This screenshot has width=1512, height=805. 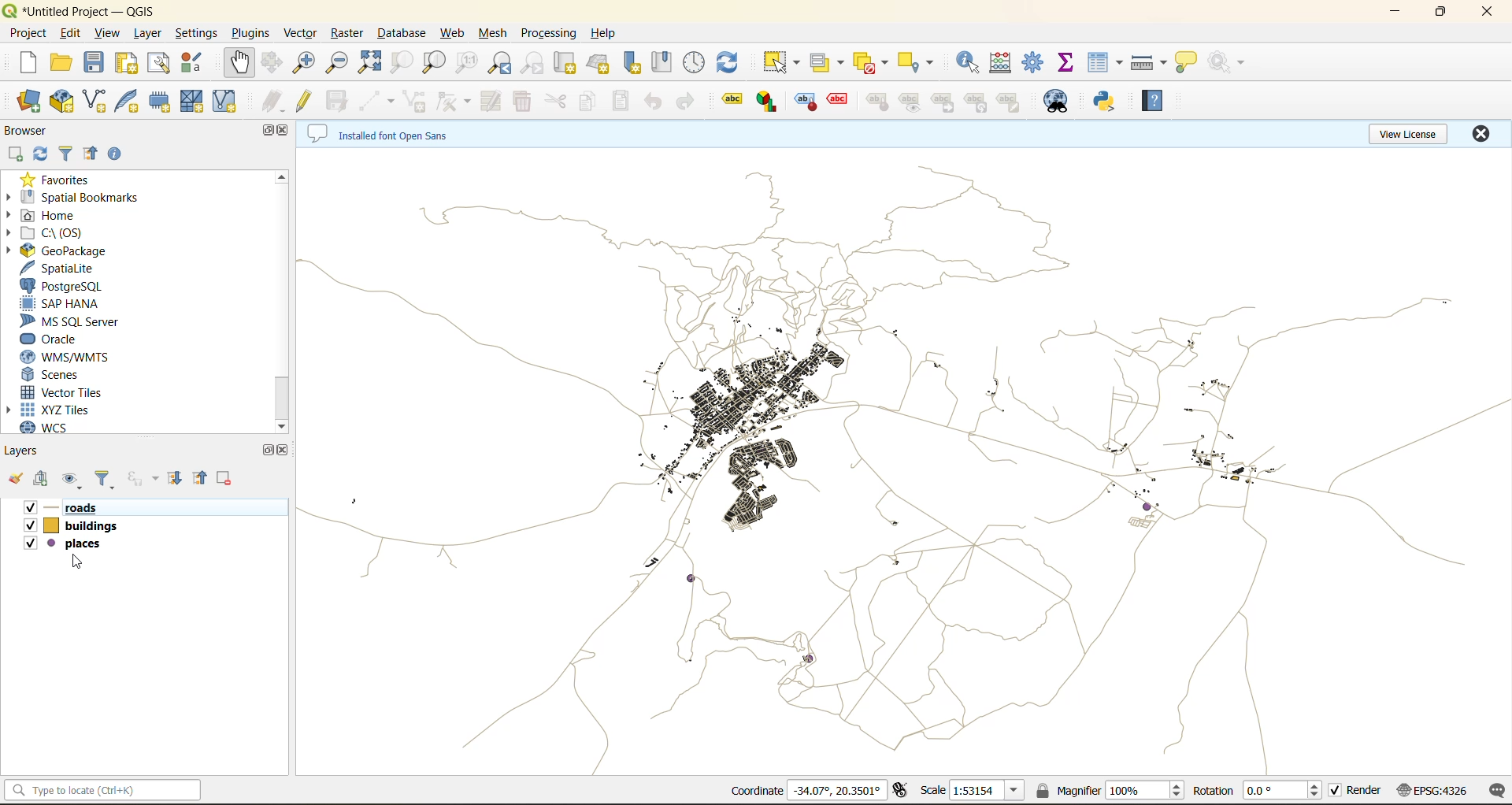 I want to click on edits, so click(x=275, y=103).